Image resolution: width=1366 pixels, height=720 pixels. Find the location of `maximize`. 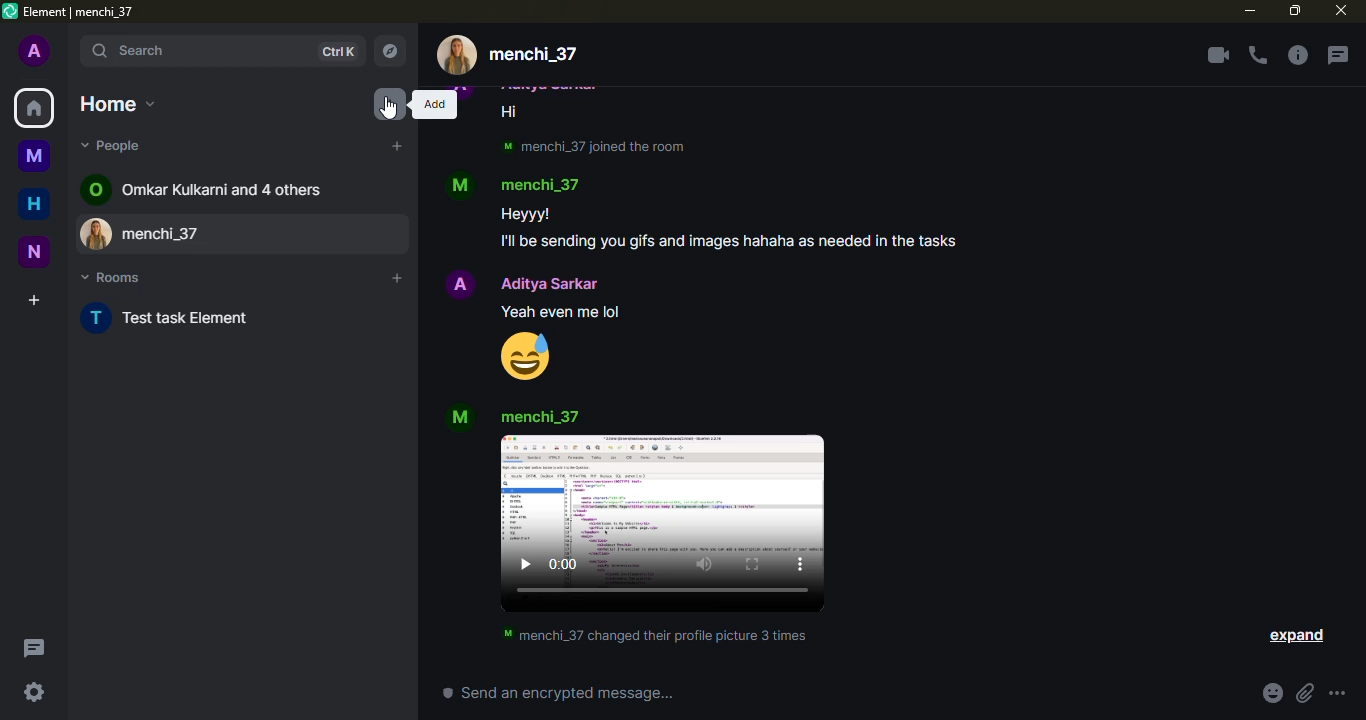

maximize is located at coordinates (1295, 11).